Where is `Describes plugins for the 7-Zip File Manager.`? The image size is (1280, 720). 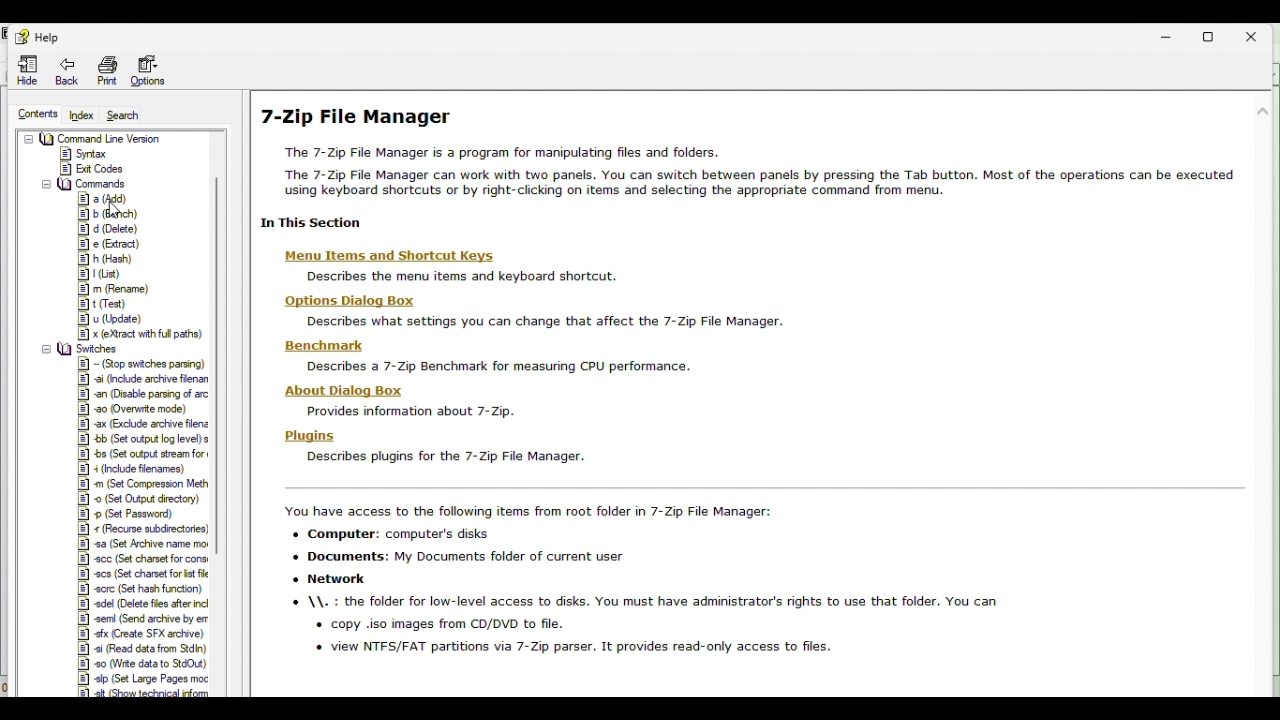
Describes plugins for the 7-Zip File Manager. is located at coordinates (447, 456).